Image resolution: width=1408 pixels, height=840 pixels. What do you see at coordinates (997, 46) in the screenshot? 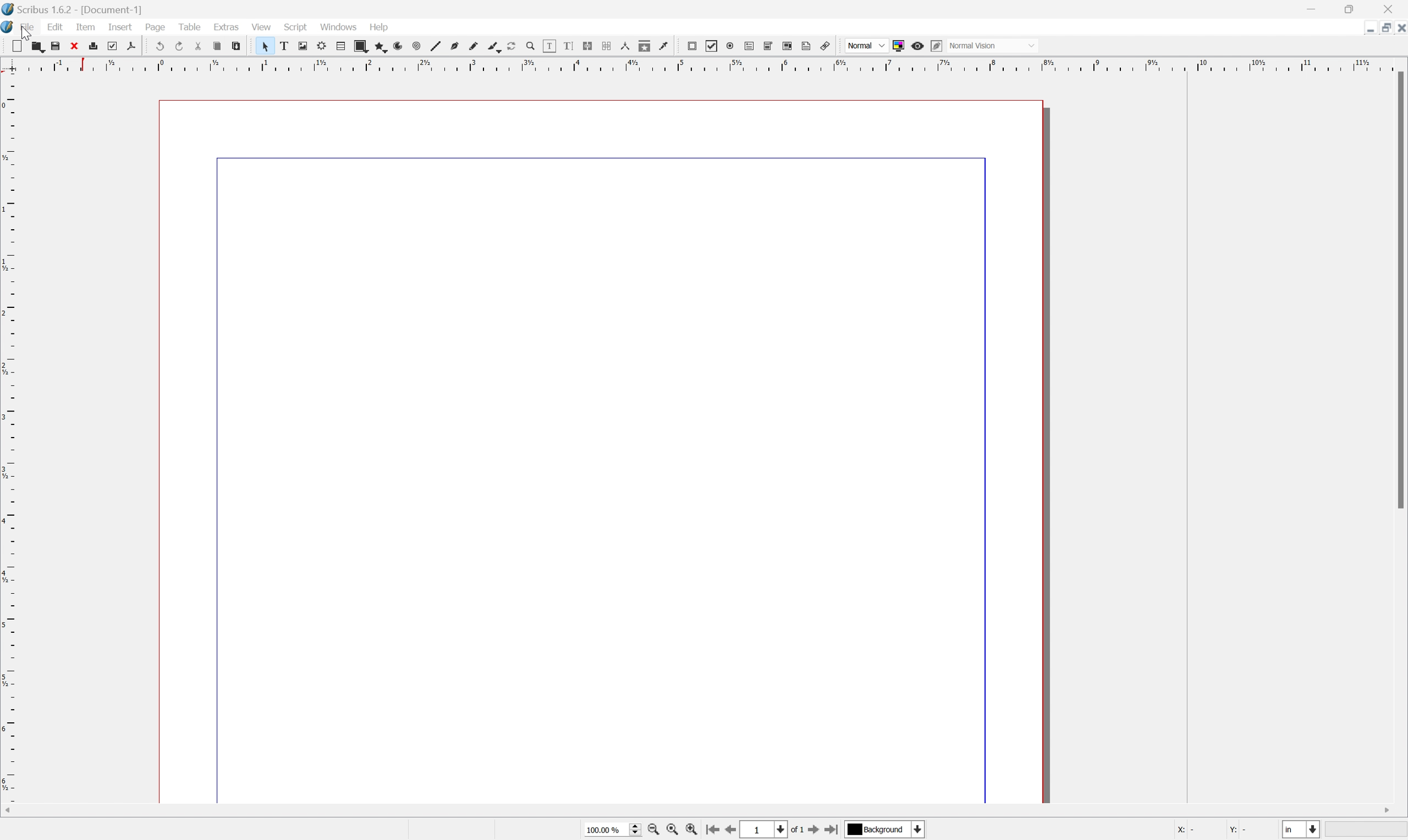
I see `Normal vision` at bounding box center [997, 46].